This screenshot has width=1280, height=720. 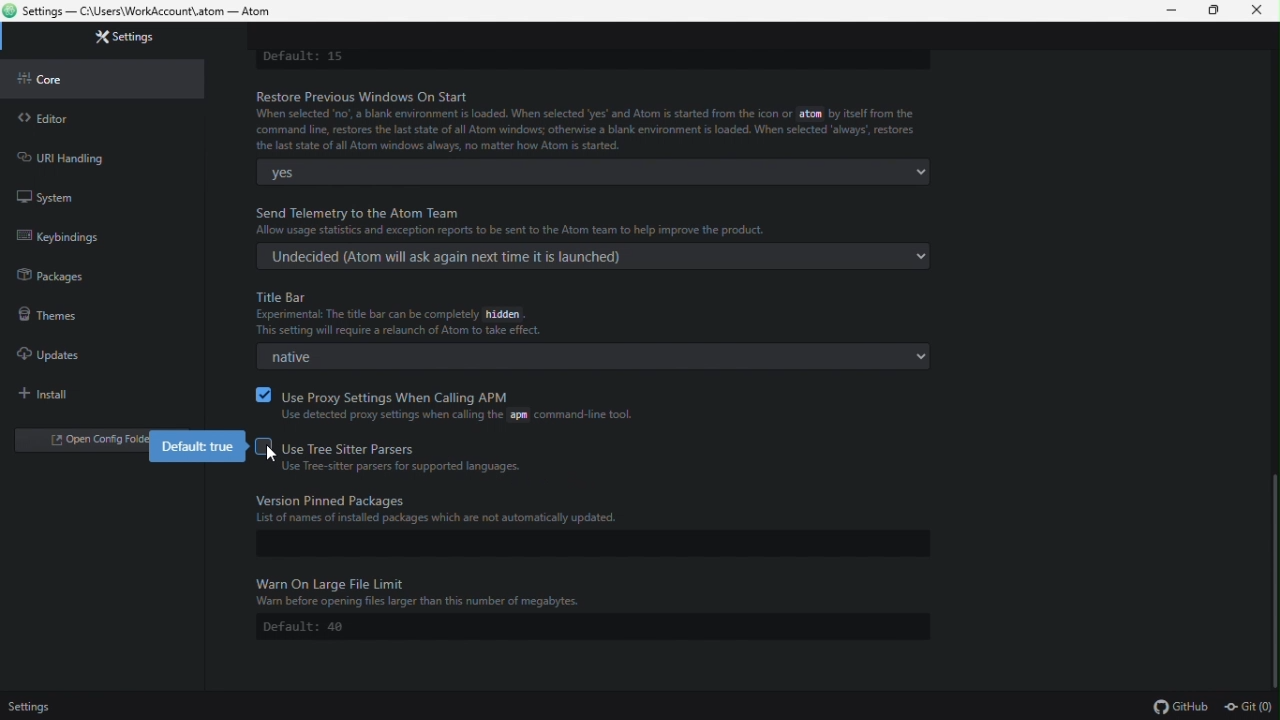 What do you see at coordinates (53, 276) in the screenshot?
I see `packages` at bounding box center [53, 276].